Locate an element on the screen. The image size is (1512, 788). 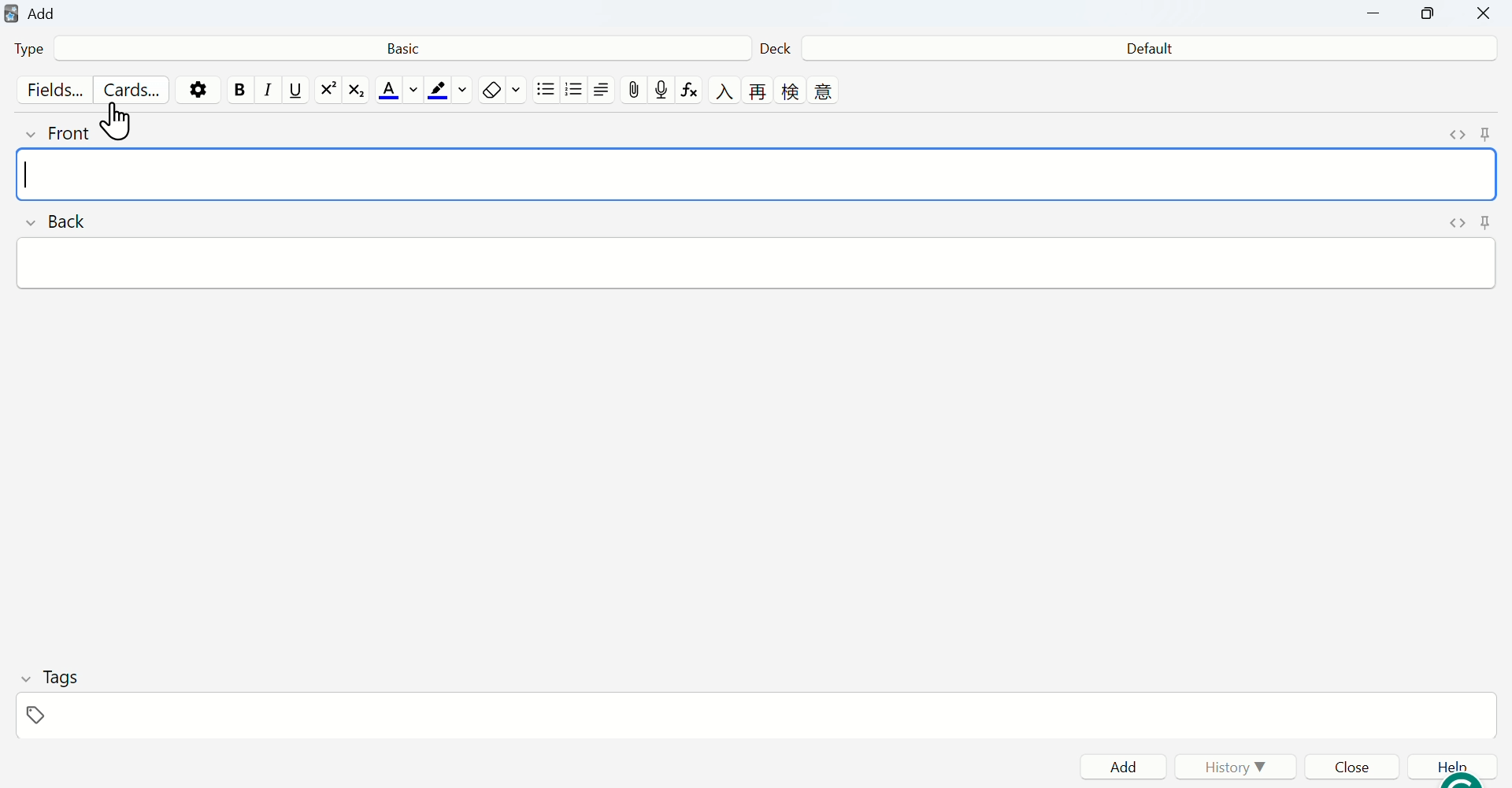
subscript is located at coordinates (357, 90).